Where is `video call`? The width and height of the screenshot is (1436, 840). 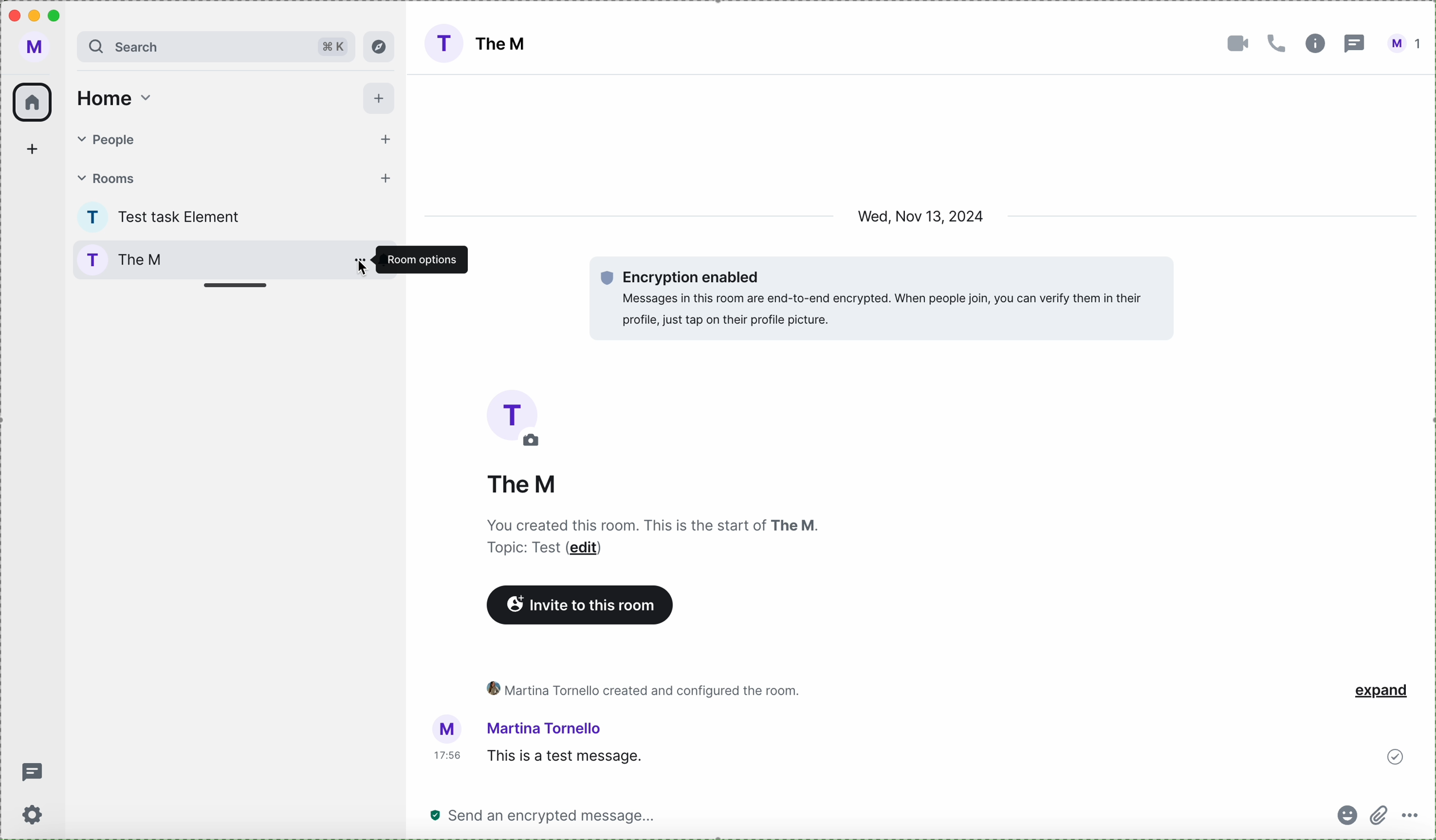
video call is located at coordinates (1237, 44).